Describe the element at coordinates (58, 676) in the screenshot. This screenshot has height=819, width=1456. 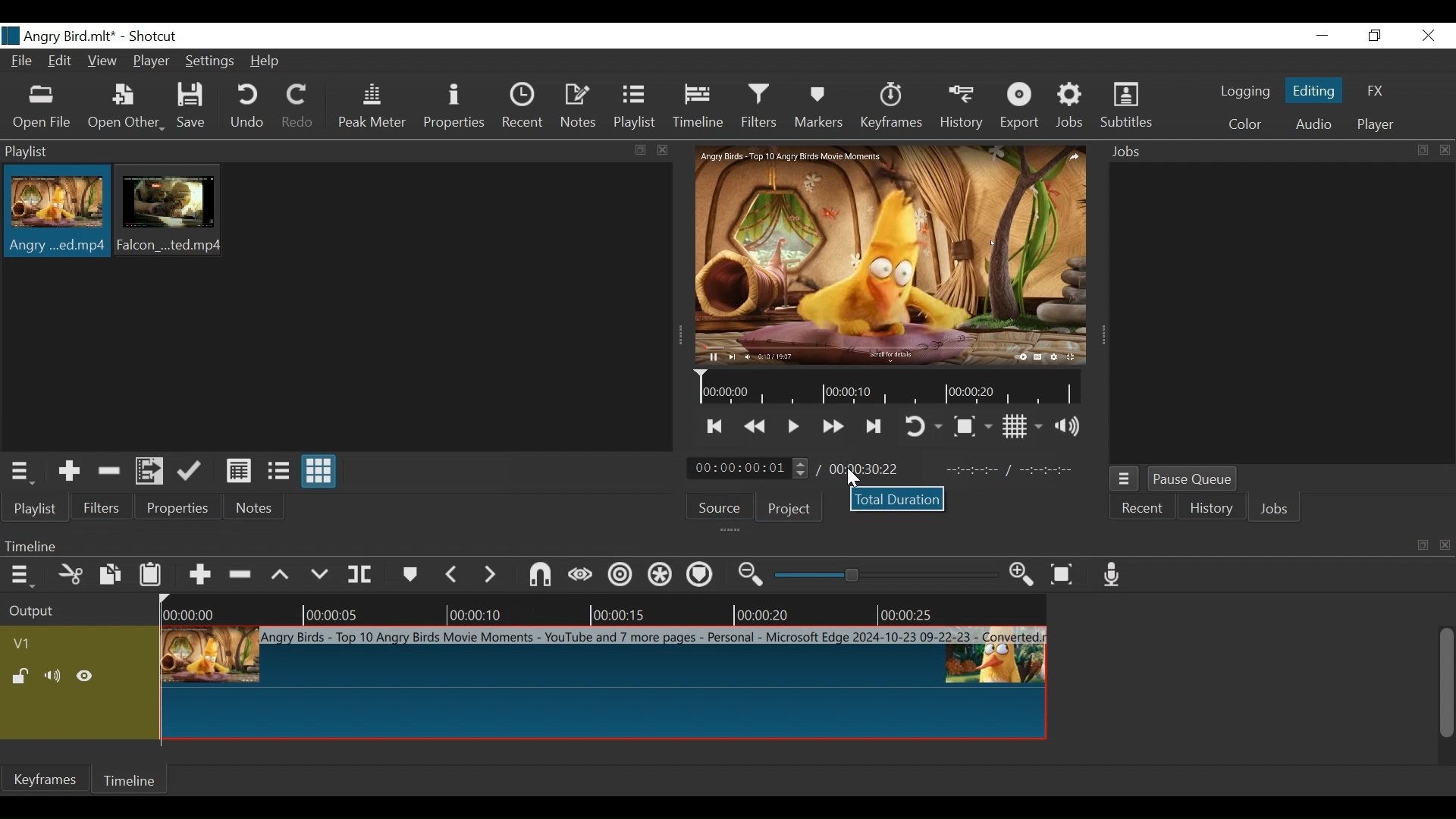
I see `Mute` at that location.